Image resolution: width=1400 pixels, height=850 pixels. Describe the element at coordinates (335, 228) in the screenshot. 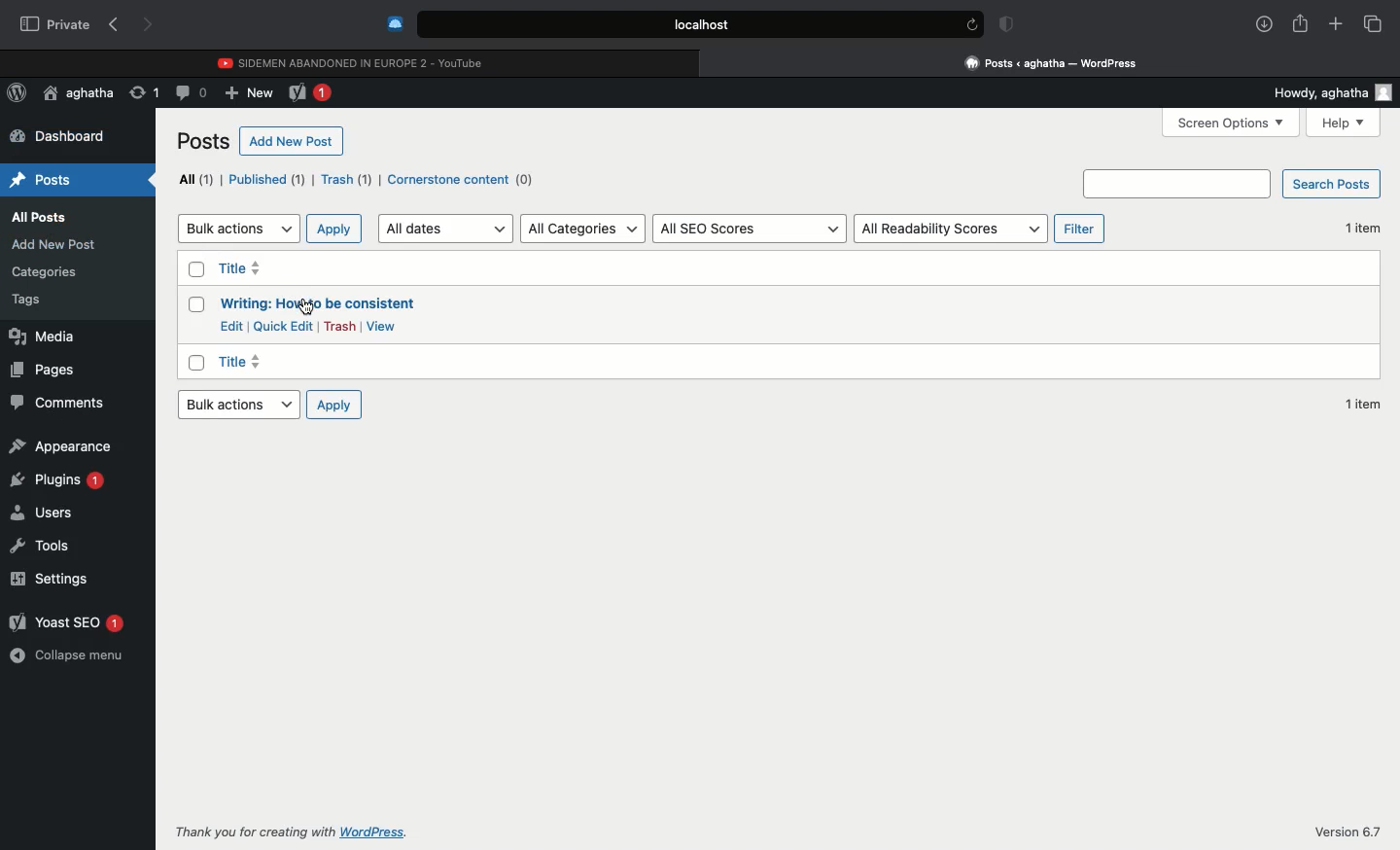

I see `Apply` at that location.